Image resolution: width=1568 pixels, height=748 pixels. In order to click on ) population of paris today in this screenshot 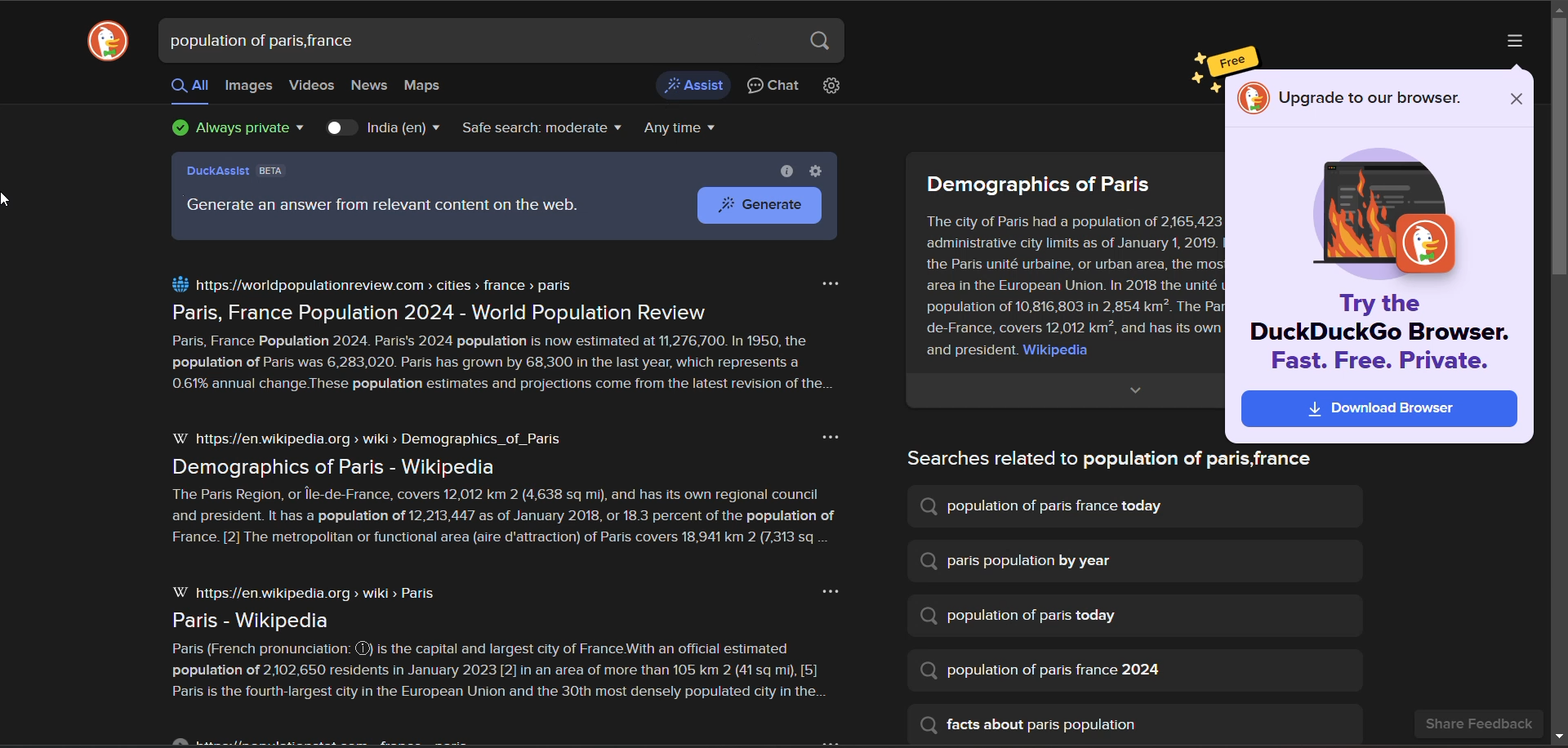, I will do `click(1027, 617)`.